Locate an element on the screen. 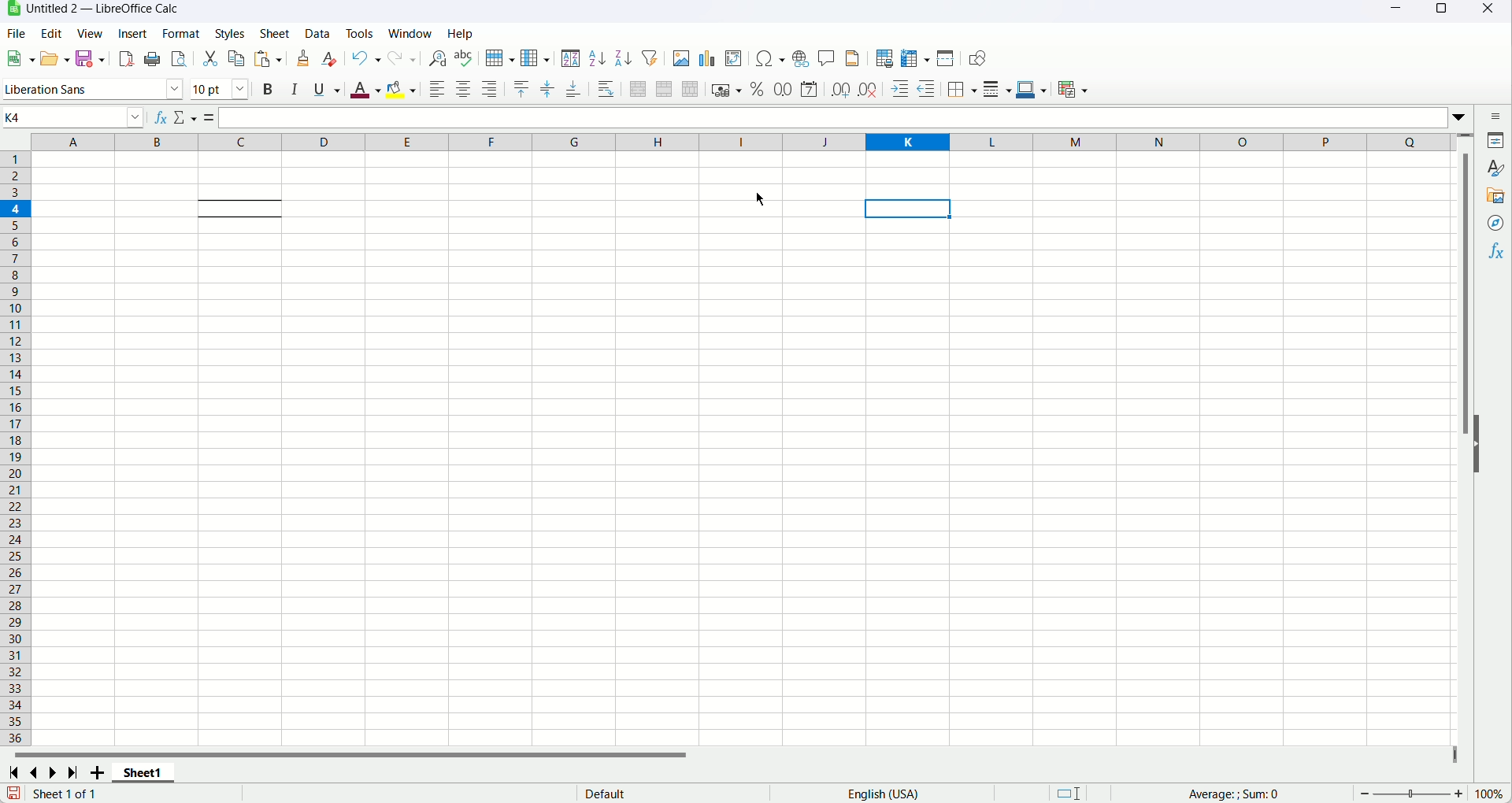 Image resolution: width=1512 pixels, height=803 pixels. Sort ascending is located at coordinates (598, 59).